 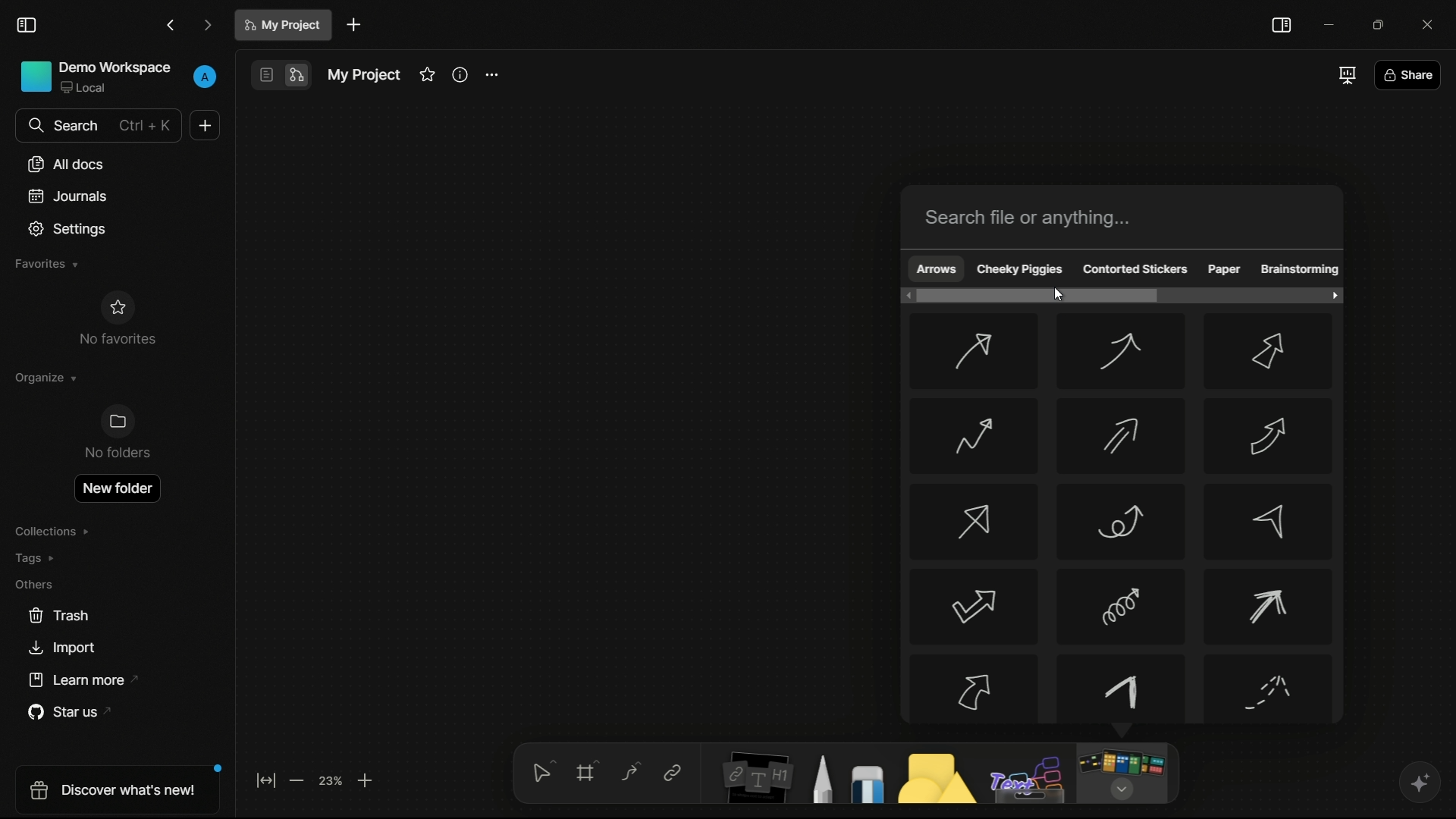 I want to click on others, so click(x=33, y=584).